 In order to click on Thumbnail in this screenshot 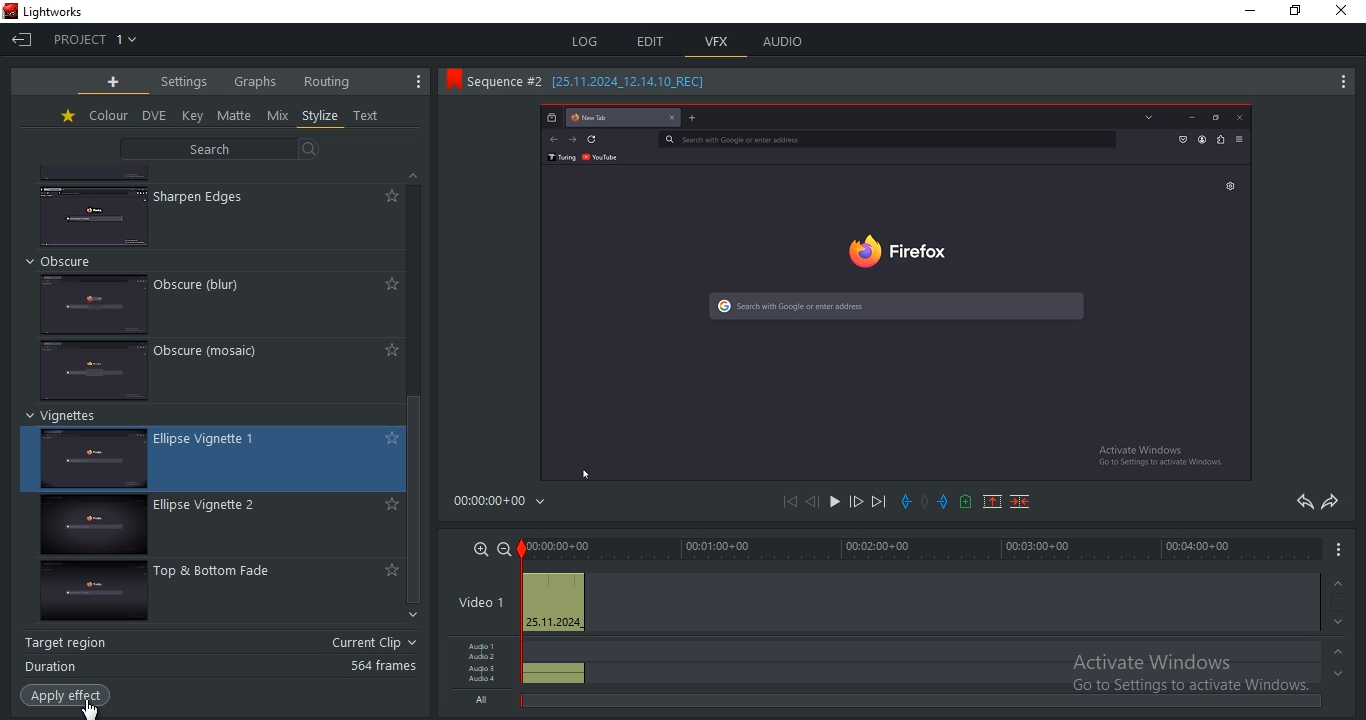, I will do `click(93, 302)`.